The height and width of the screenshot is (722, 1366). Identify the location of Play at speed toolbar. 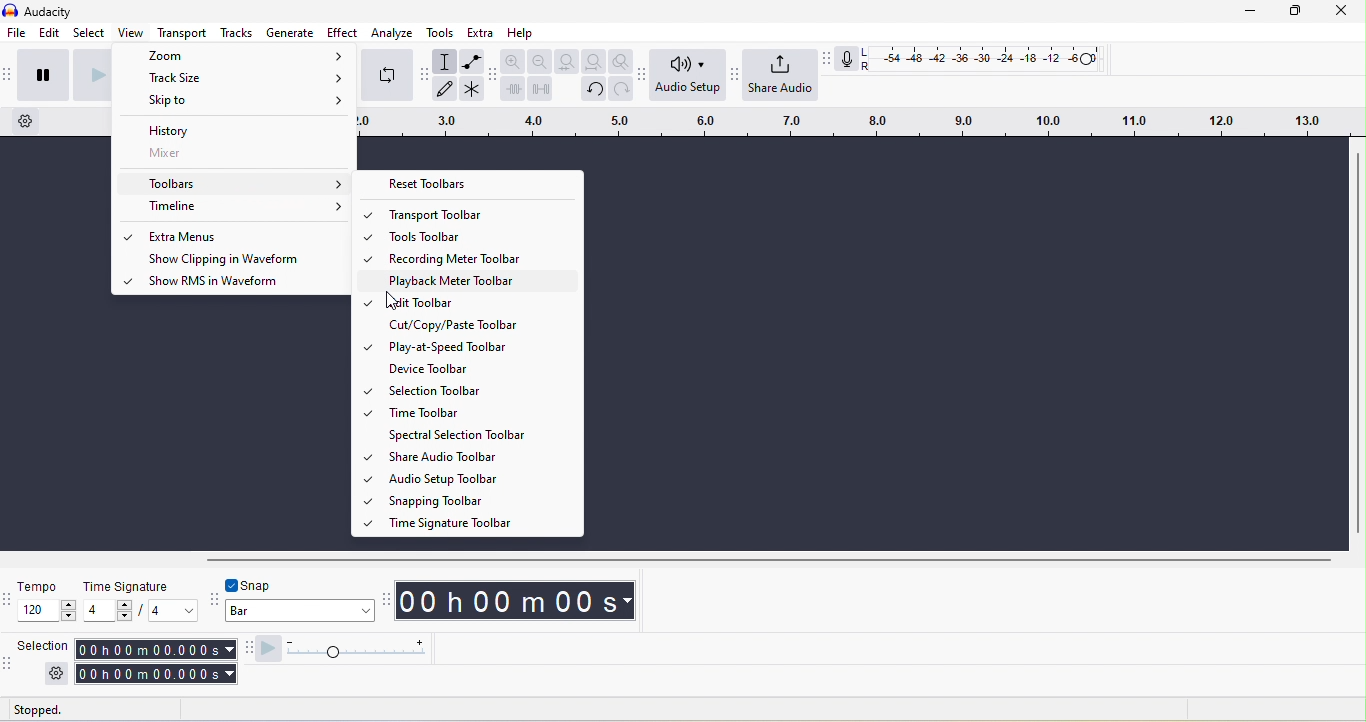
(478, 347).